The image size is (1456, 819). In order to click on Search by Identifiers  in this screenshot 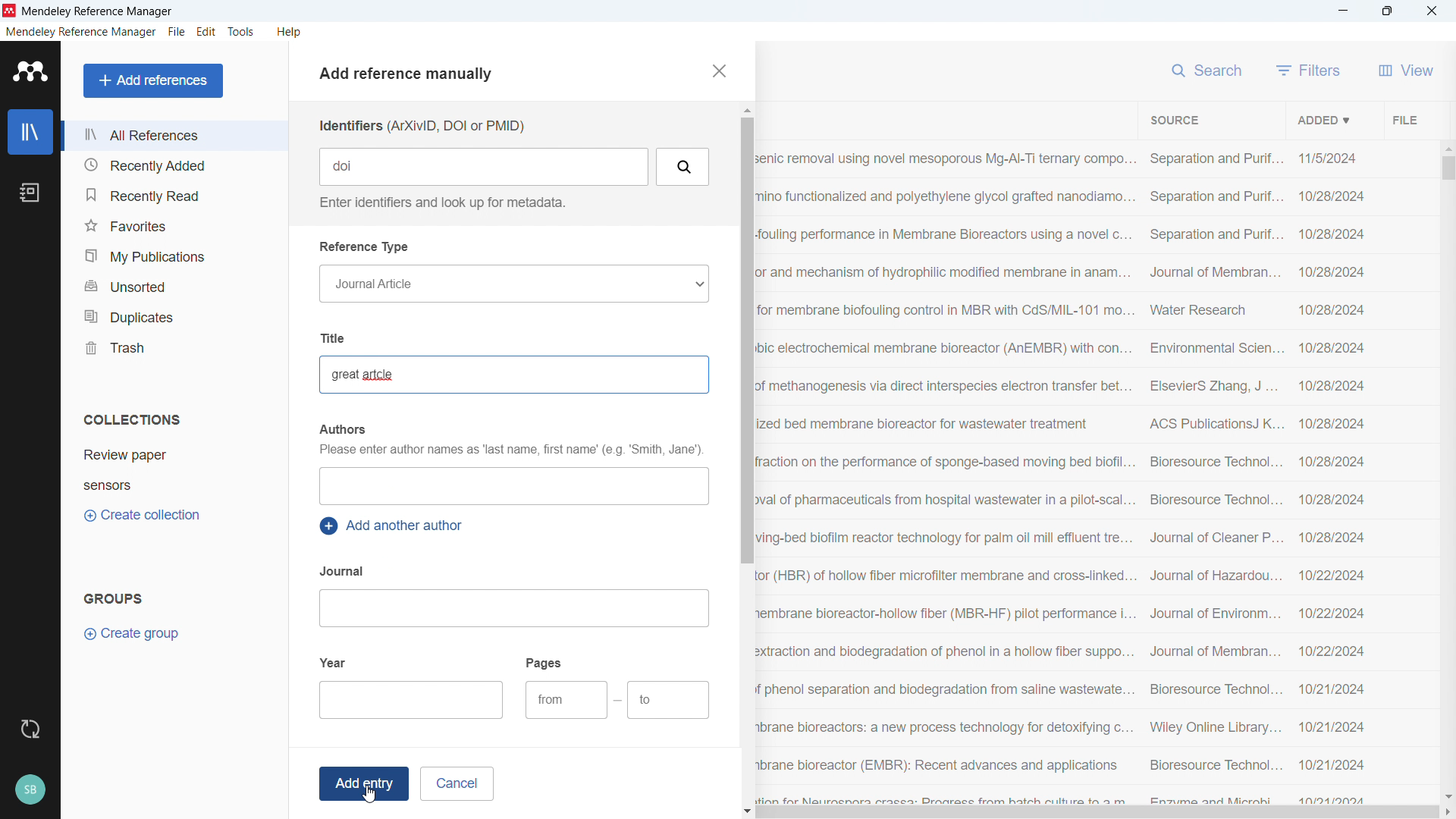, I will do `click(684, 167)`.